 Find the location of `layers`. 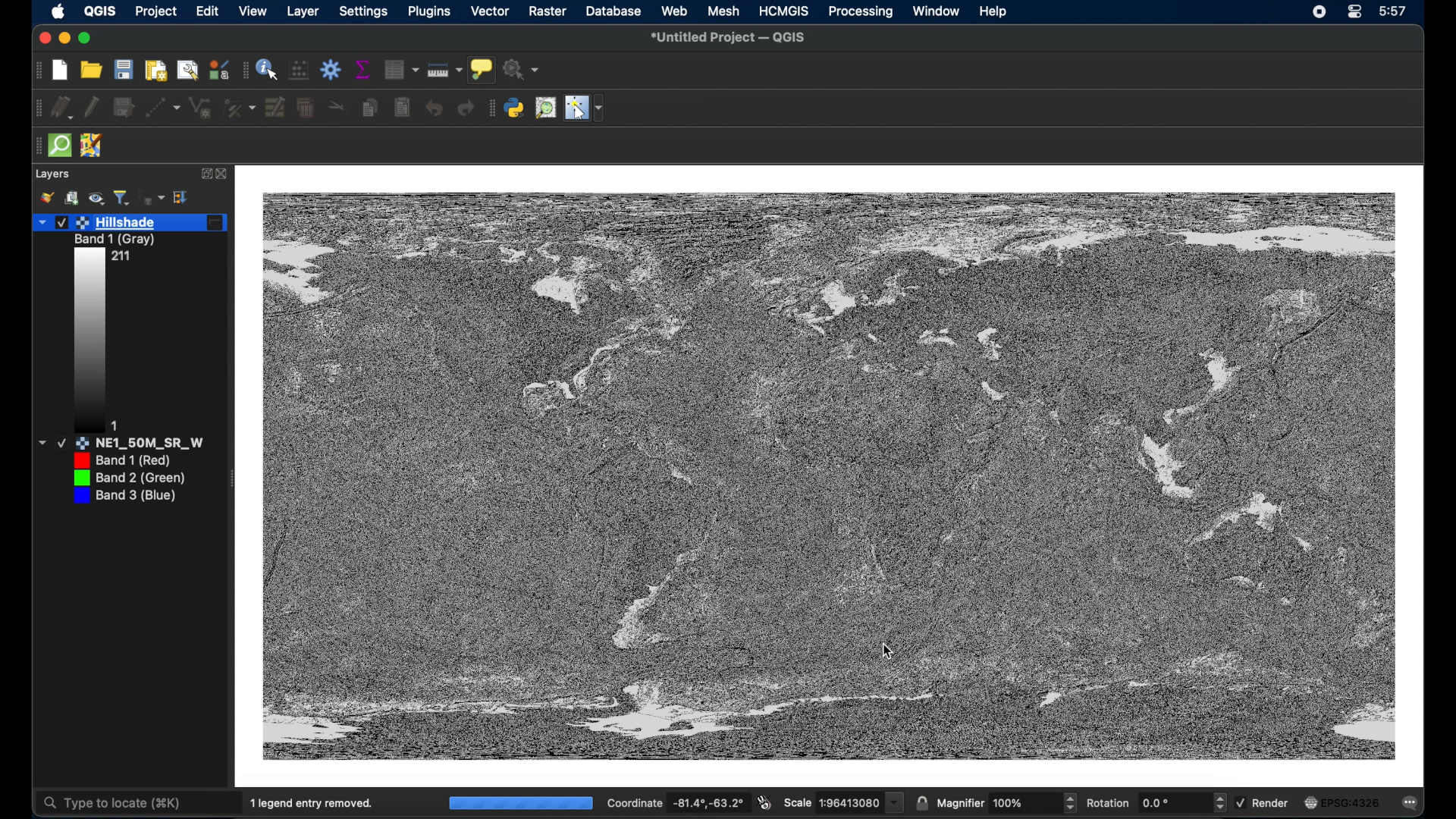

layers is located at coordinates (52, 174).